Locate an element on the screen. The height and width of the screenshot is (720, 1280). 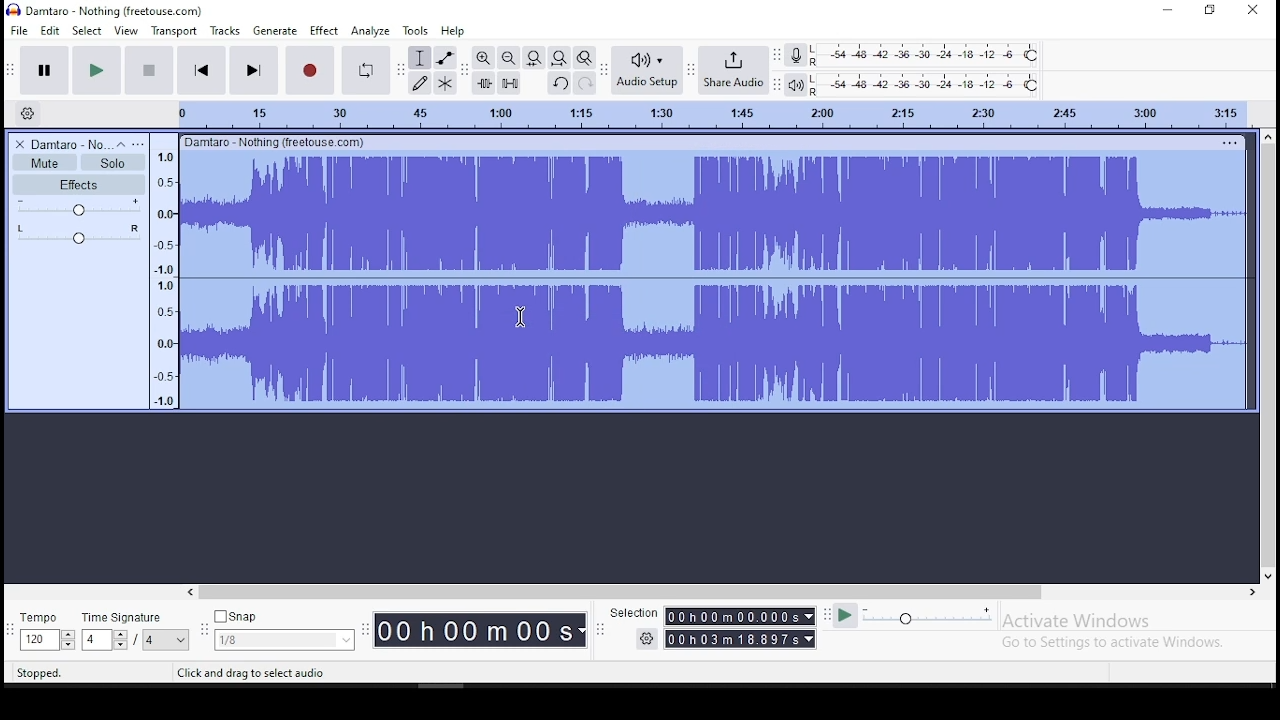
selection is located at coordinates (633, 613).